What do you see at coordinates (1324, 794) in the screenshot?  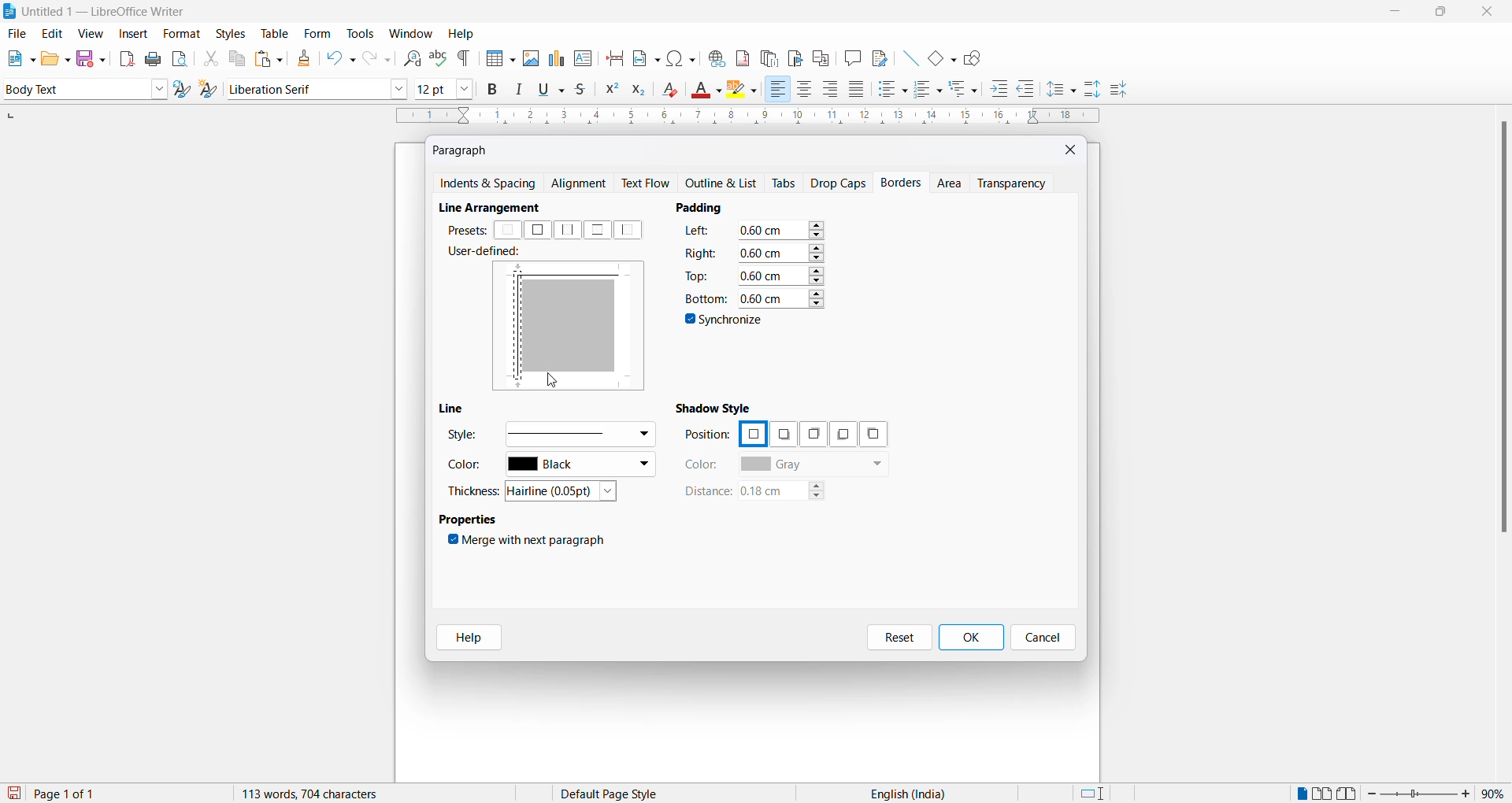 I see `multi page view` at bounding box center [1324, 794].